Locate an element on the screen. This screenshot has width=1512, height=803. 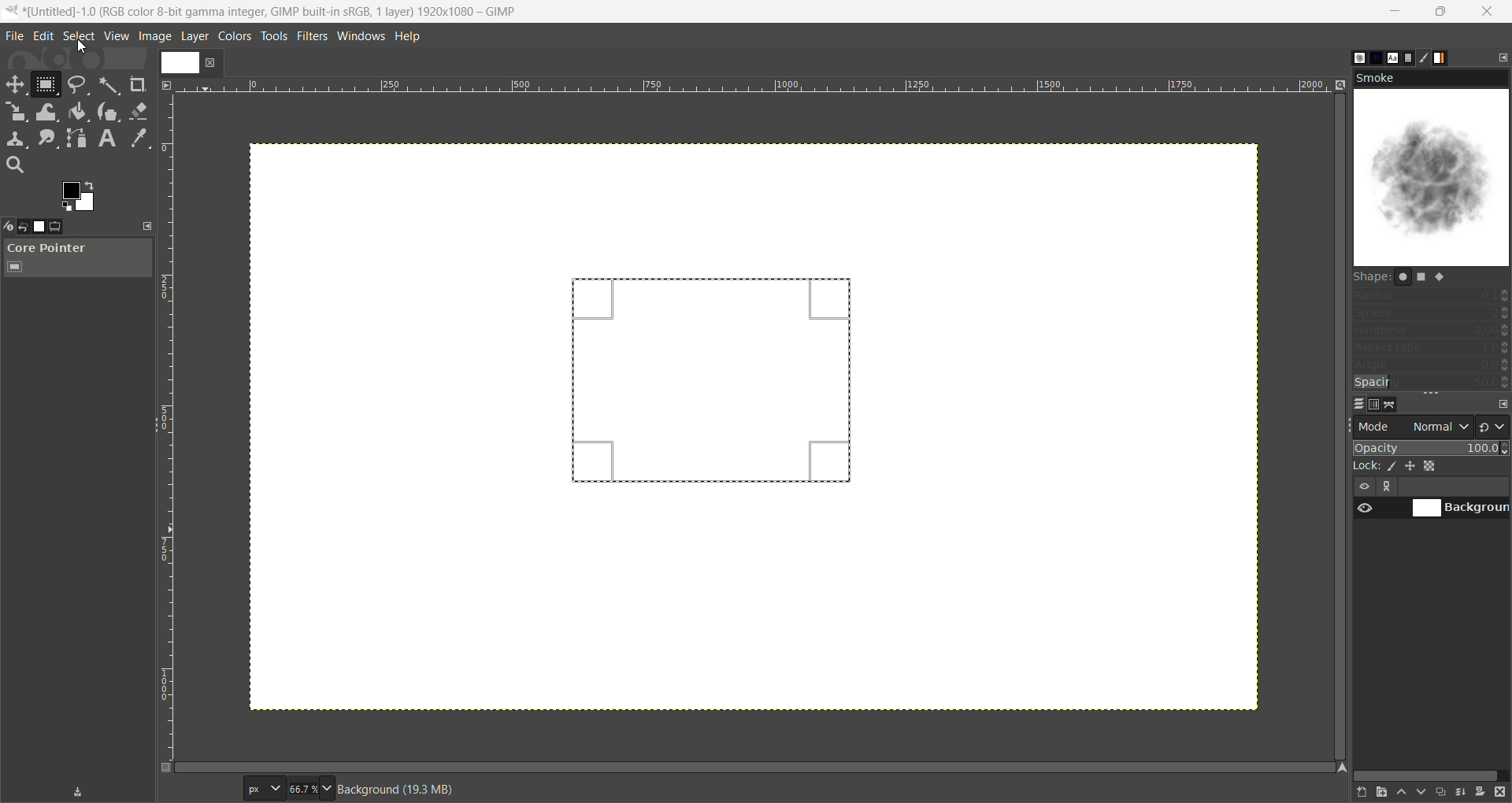
search is located at coordinates (16, 167).